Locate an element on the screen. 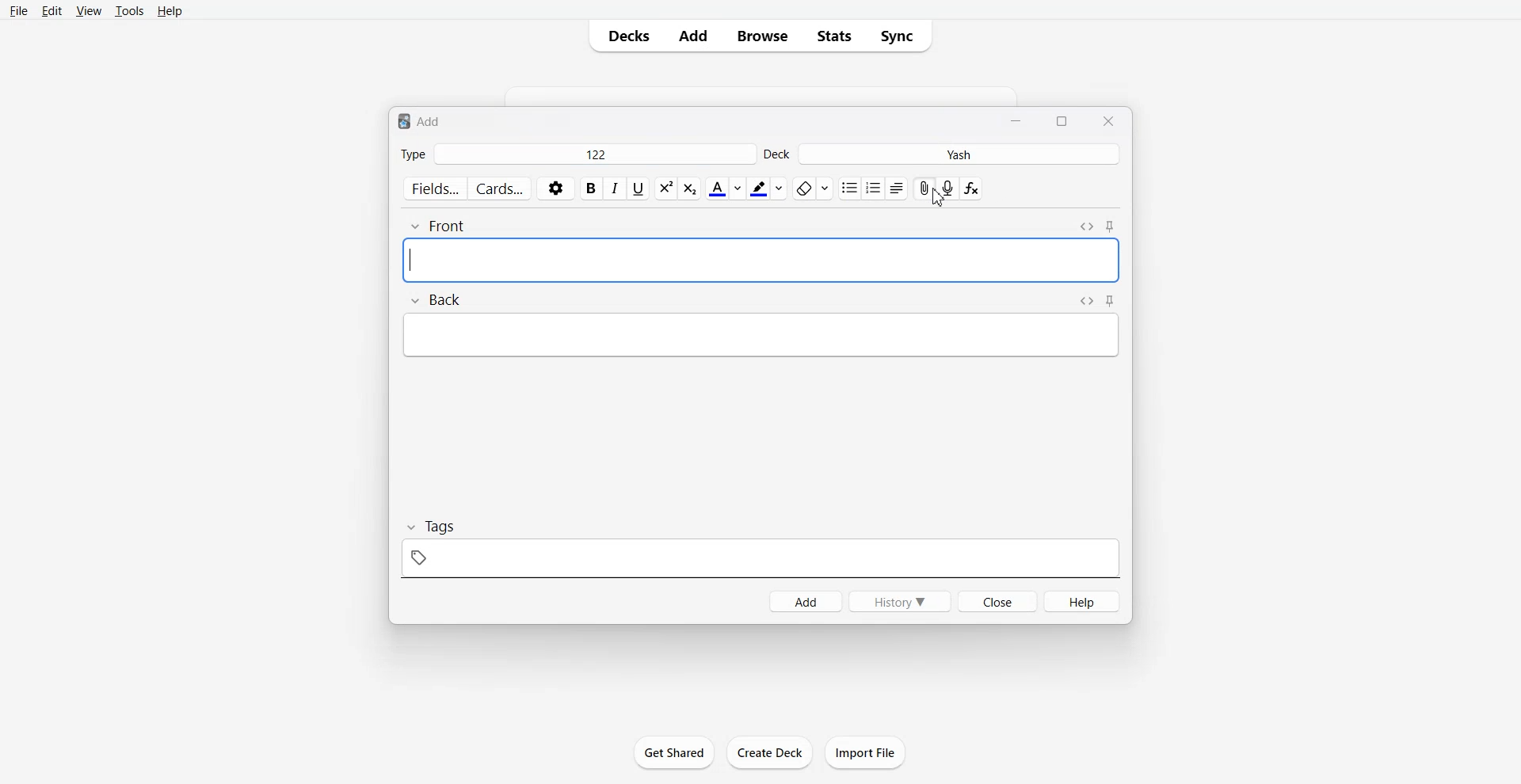 The height and width of the screenshot is (784, 1521). ordered list is located at coordinates (875, 188).